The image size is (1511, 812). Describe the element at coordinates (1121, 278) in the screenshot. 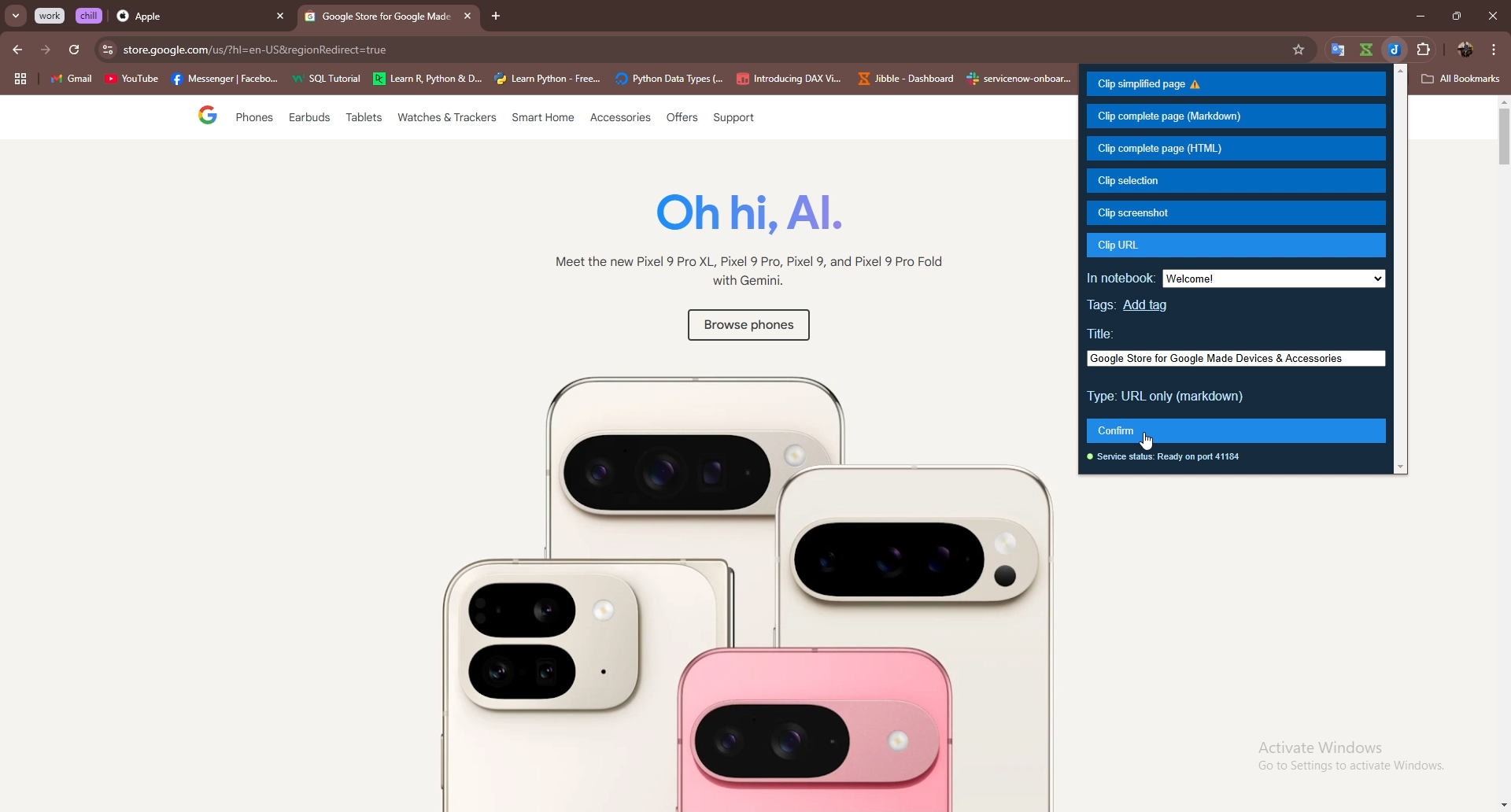

I see `in notebook` at that location.